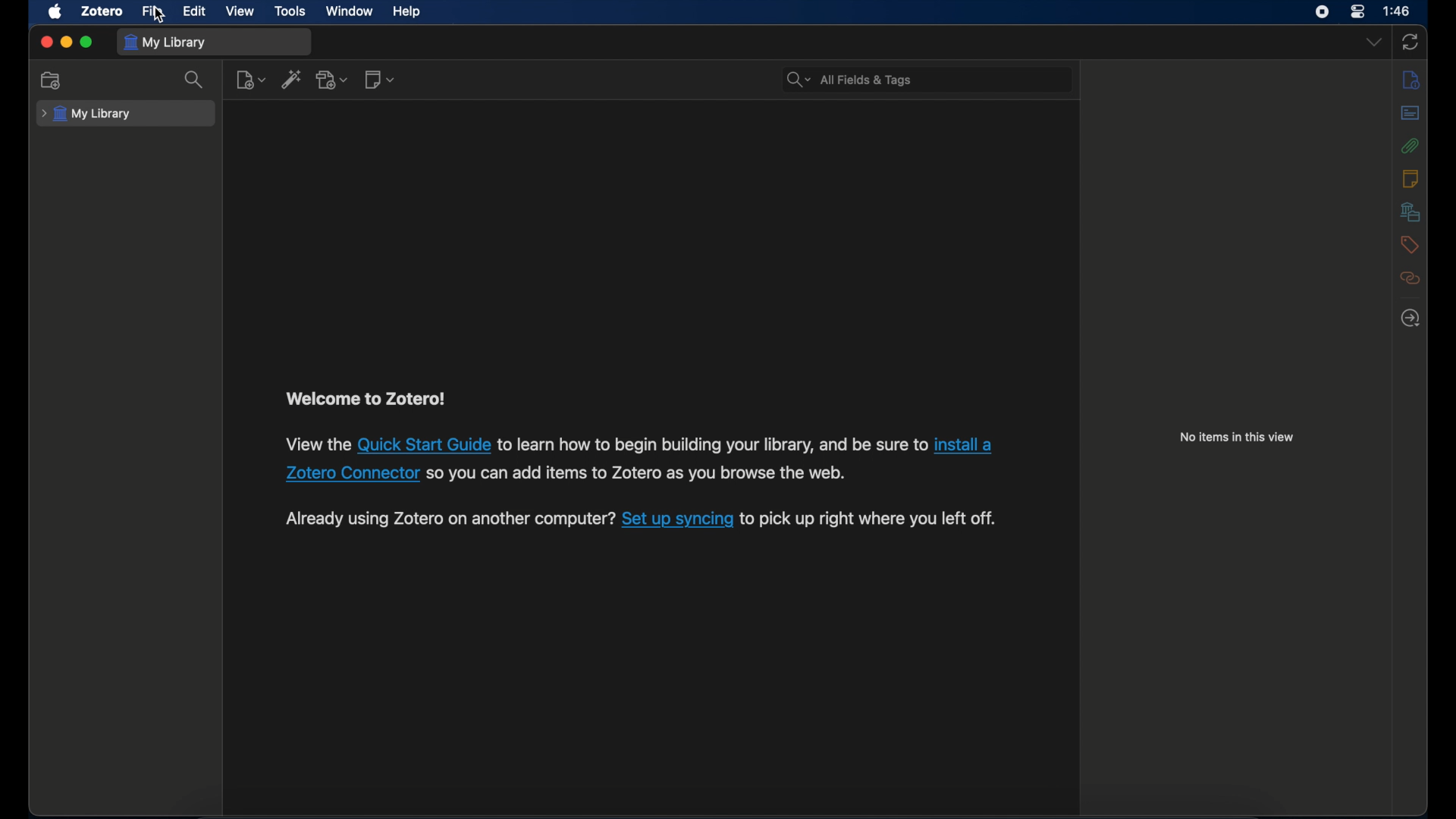  What do you see at coordinates (1410, 318) in the screenshot?
I see `locate` at bounding box center [1410, 318].